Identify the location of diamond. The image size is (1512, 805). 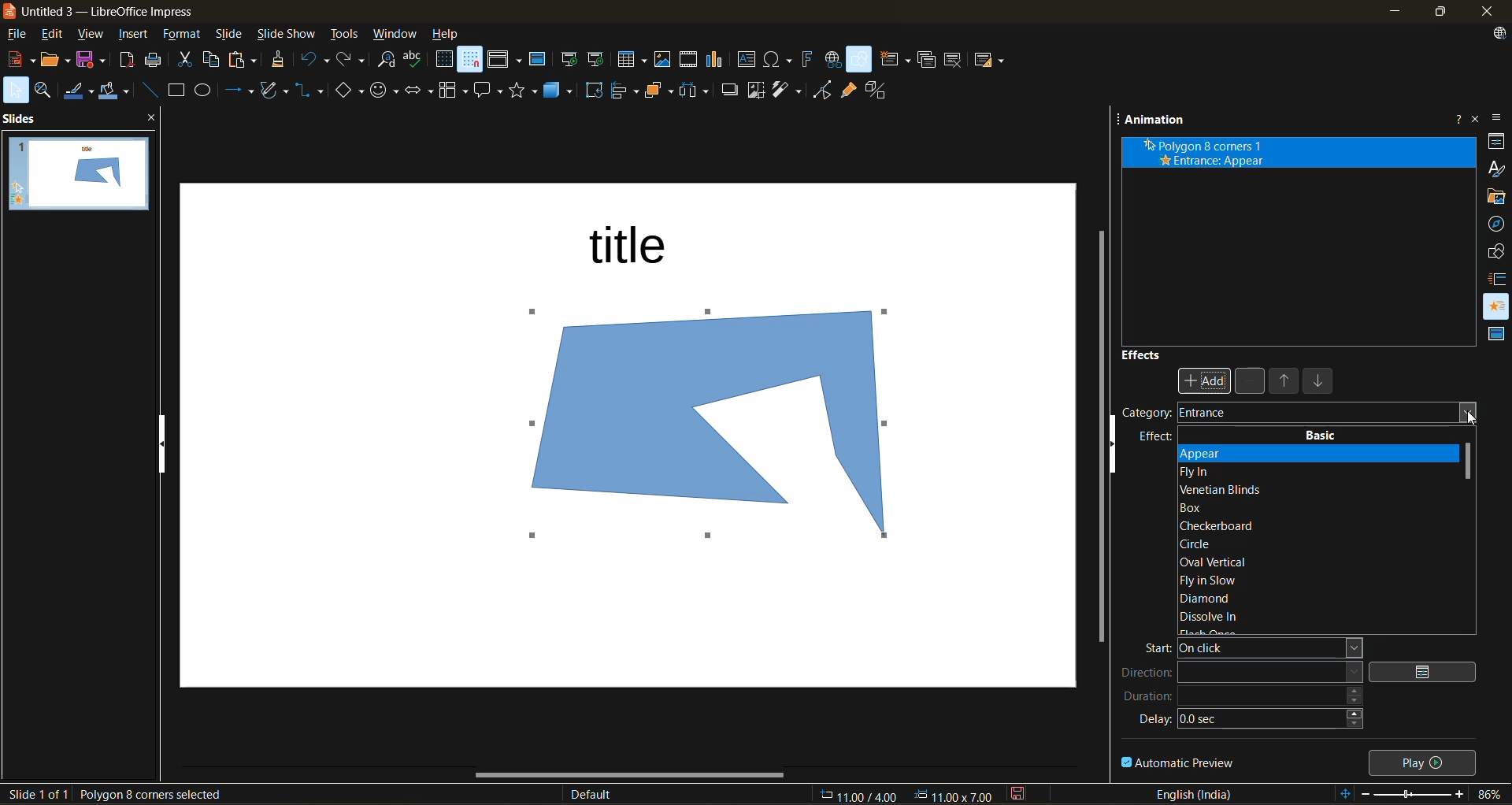
(1203, 599).